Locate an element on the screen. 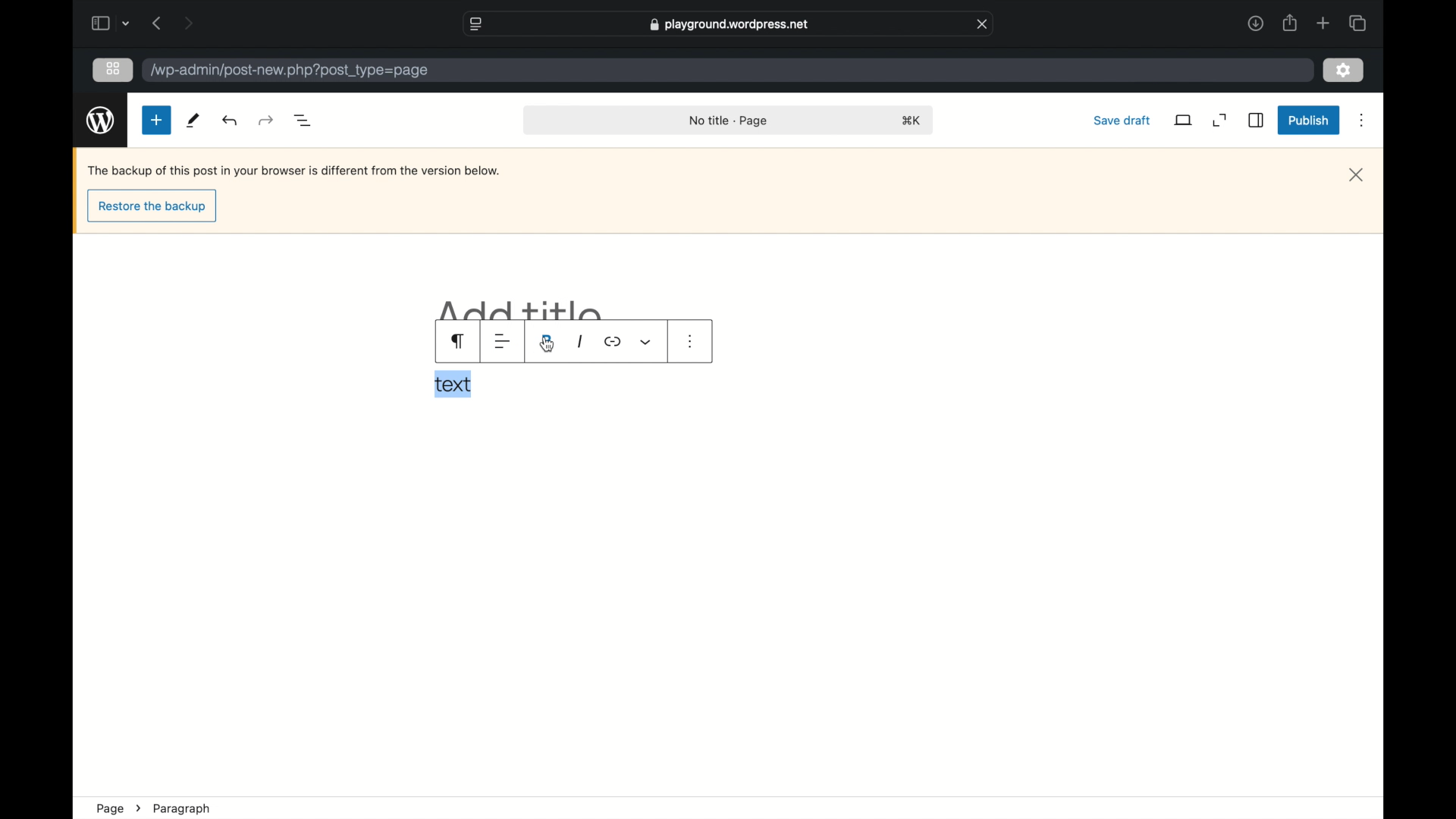 The image size is (1456, 819). share is located at coordinates (1291, 23).